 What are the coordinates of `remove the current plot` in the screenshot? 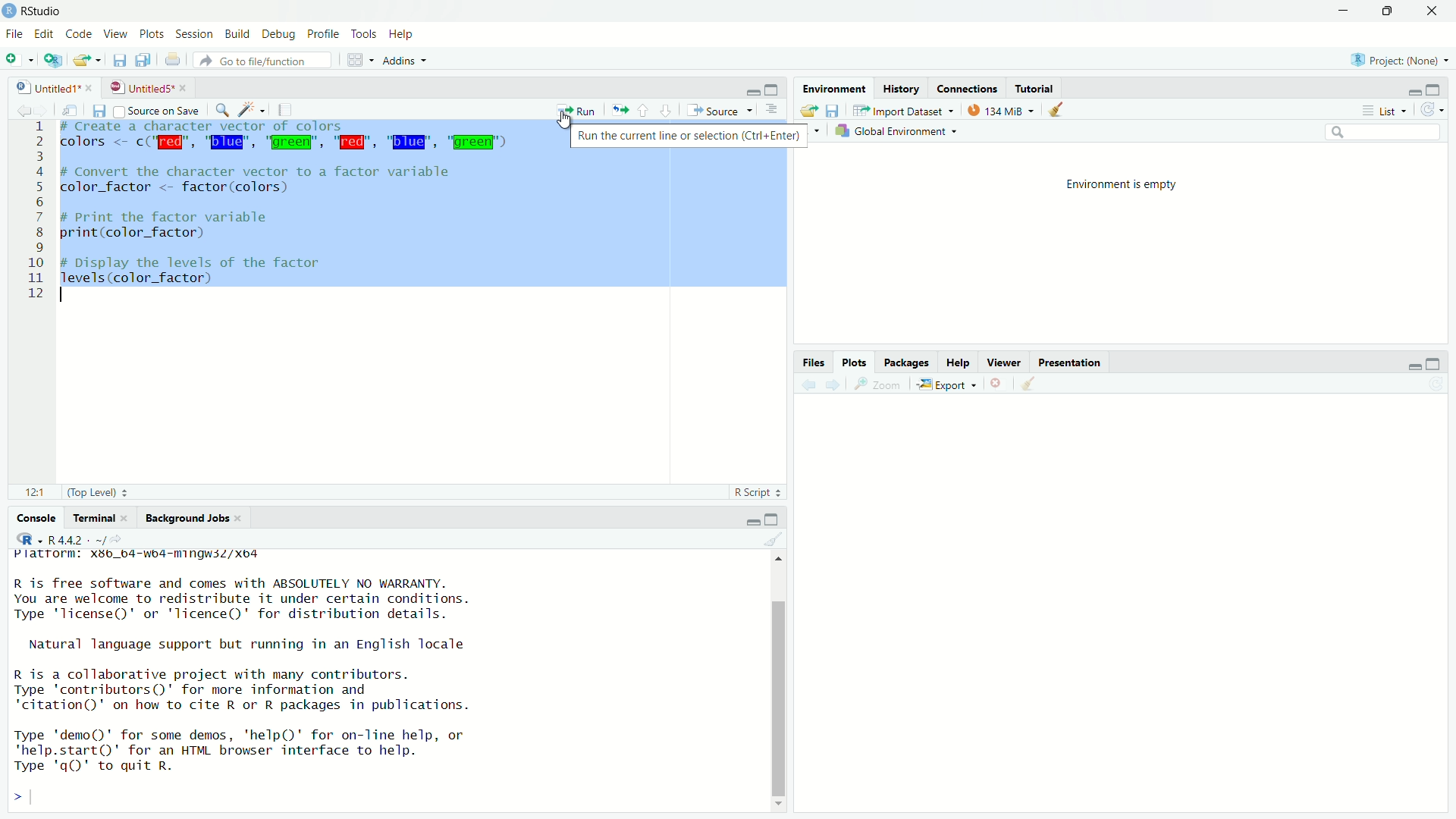 It's located at (995, 382).